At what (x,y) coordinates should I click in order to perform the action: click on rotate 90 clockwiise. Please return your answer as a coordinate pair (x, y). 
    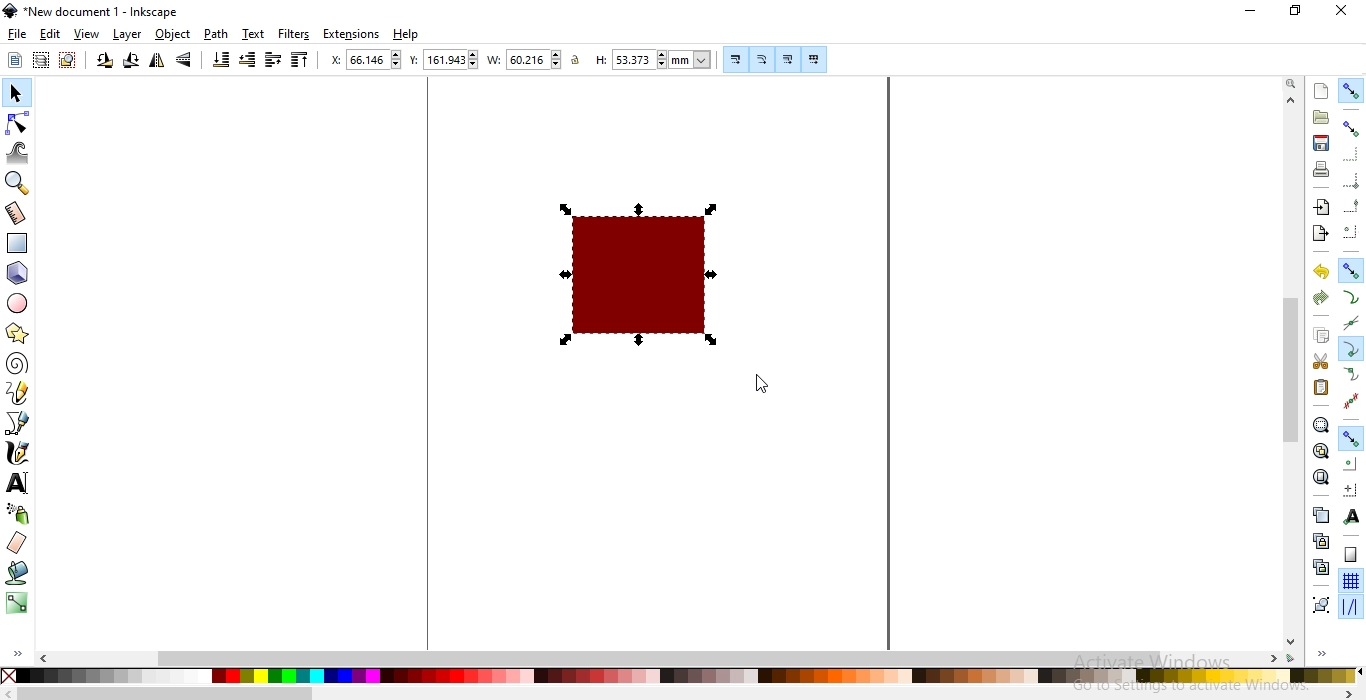
    Looking at the image, I should click on (129, 63).